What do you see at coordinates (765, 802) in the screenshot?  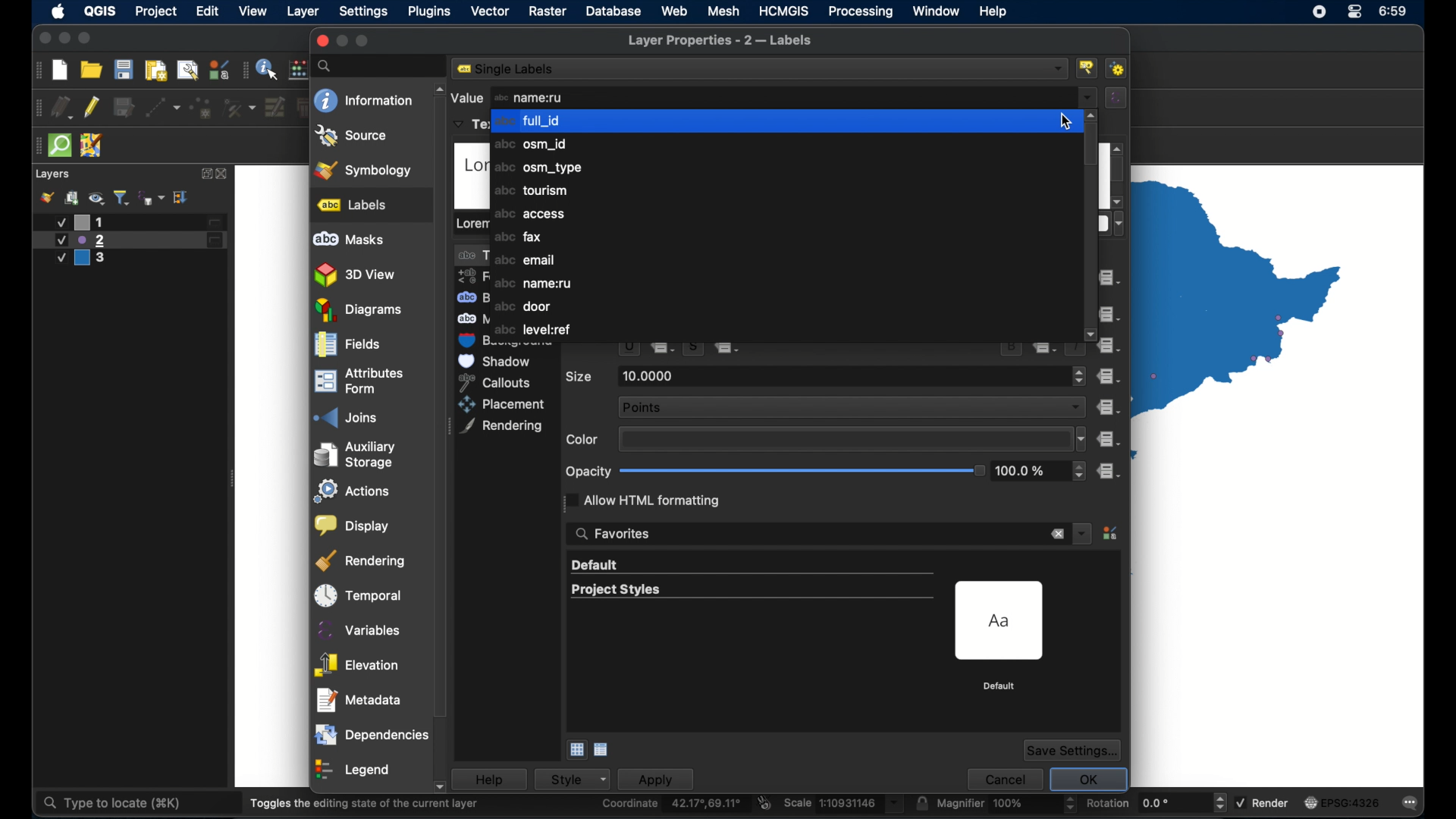 I see `toggle extents and mouse display position` at bounding box center [765, 802].